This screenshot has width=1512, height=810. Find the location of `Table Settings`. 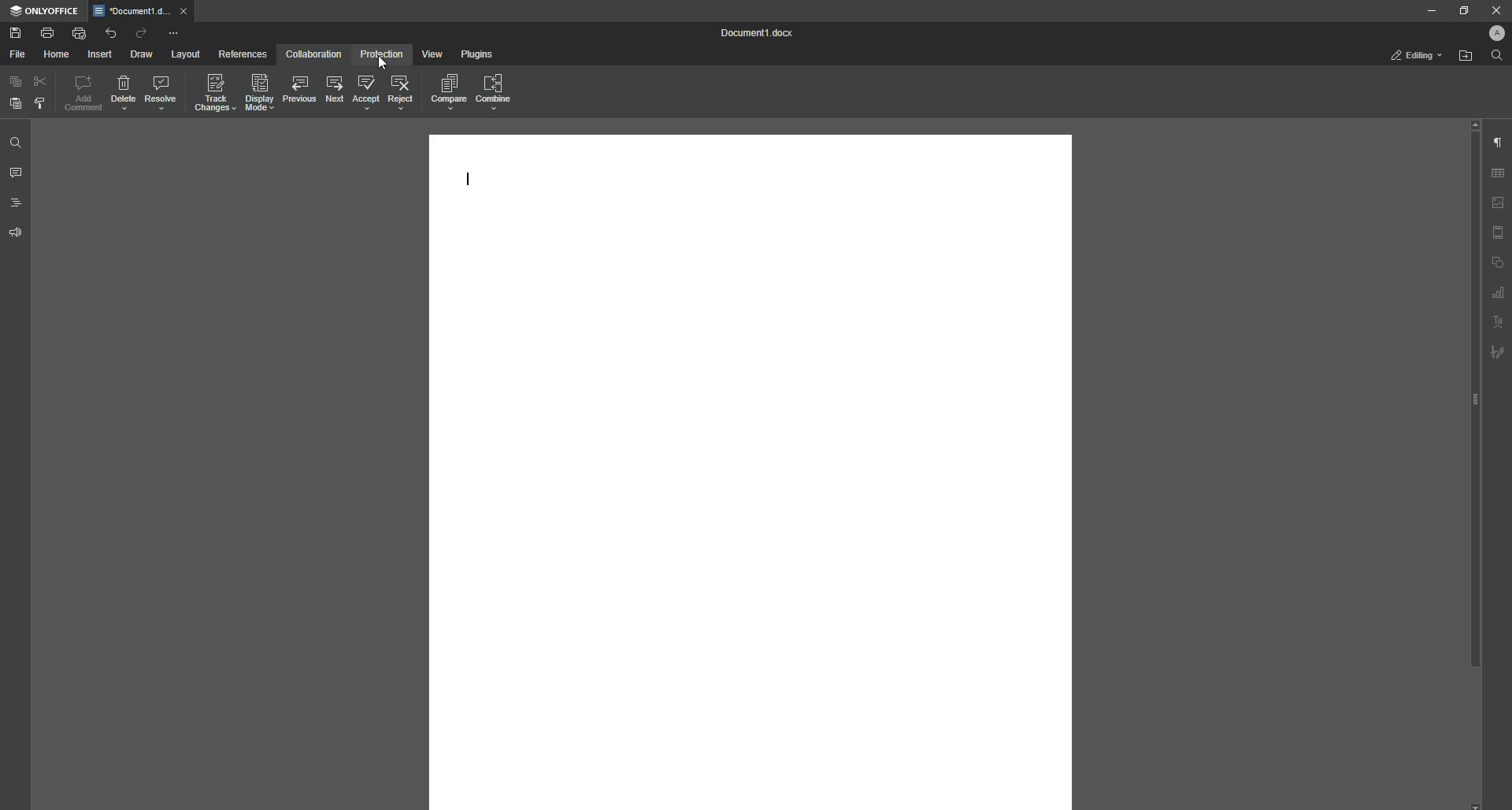

Table Settings is located at coordinates (1499, 173).